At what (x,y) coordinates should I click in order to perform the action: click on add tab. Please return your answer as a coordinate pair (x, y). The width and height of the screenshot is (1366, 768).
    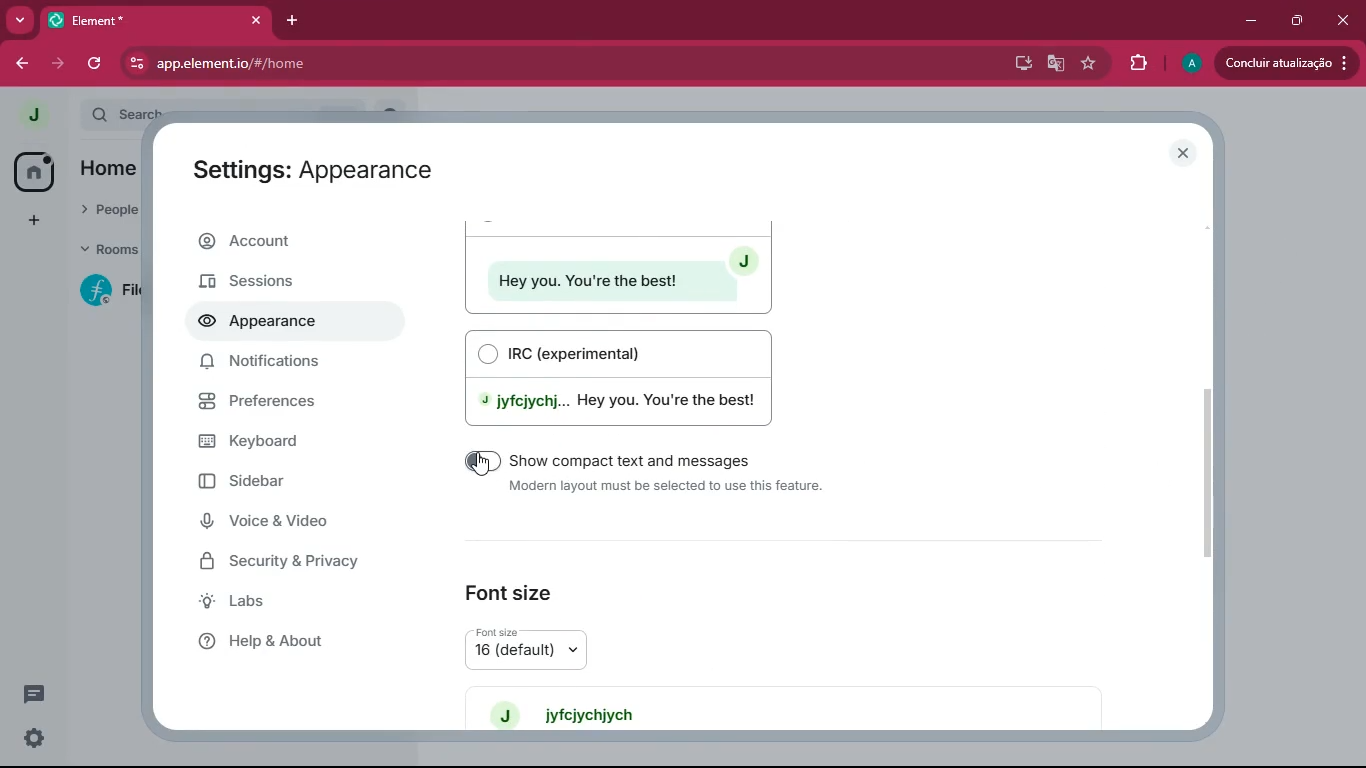
    Looking at the image, I should click on (295, 16).